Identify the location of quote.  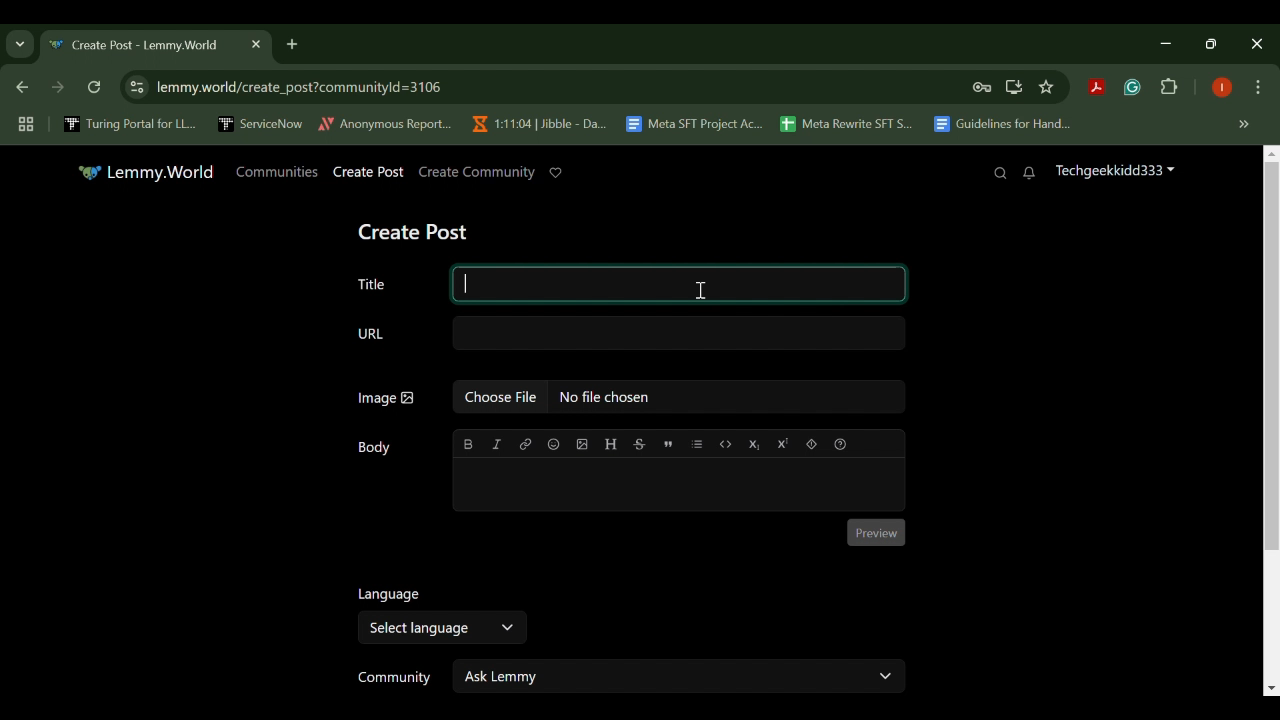
(667, 442).